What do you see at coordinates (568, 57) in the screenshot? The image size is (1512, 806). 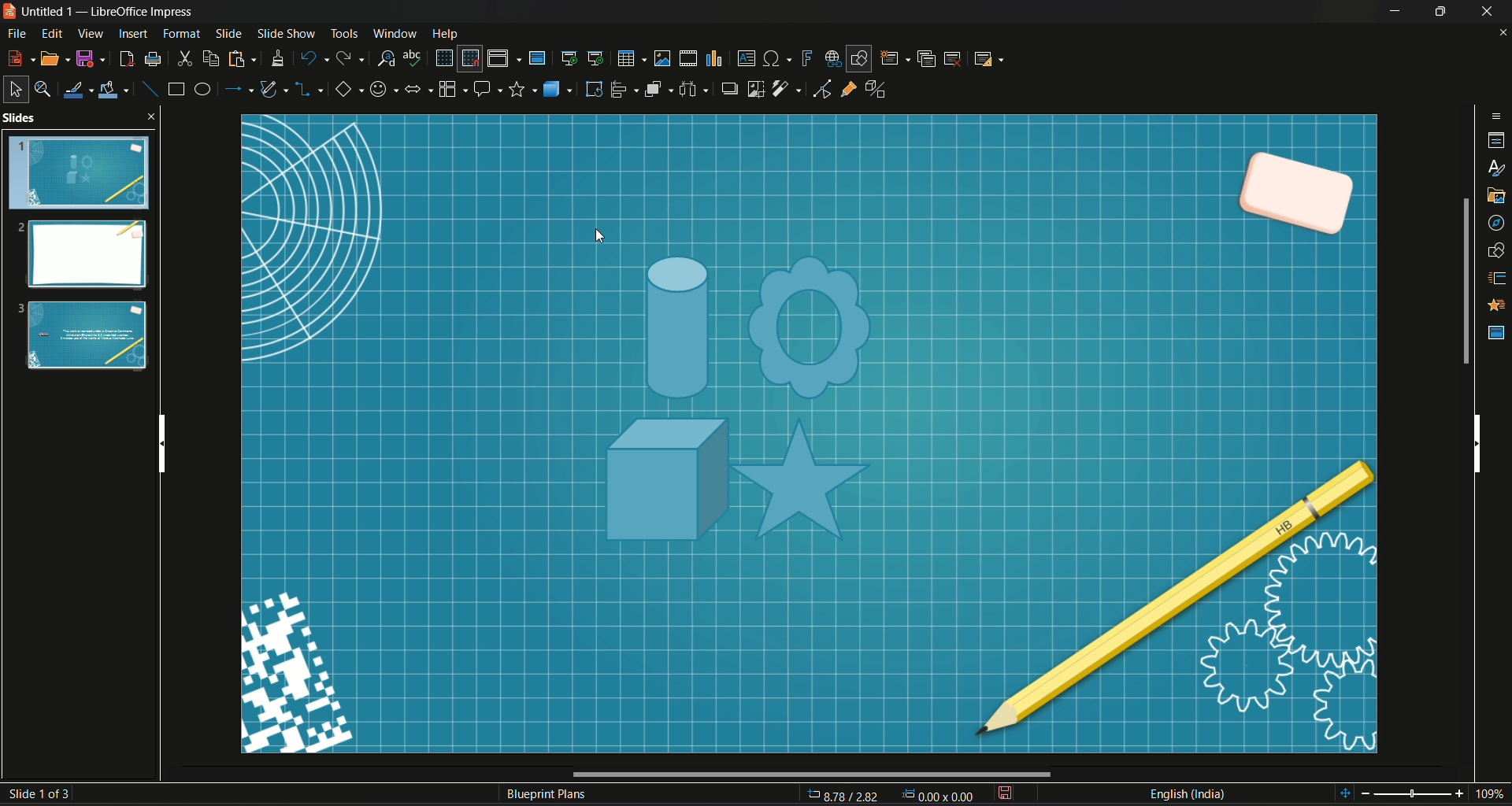 I see `start from first slide` at bounding box center [568, 57].